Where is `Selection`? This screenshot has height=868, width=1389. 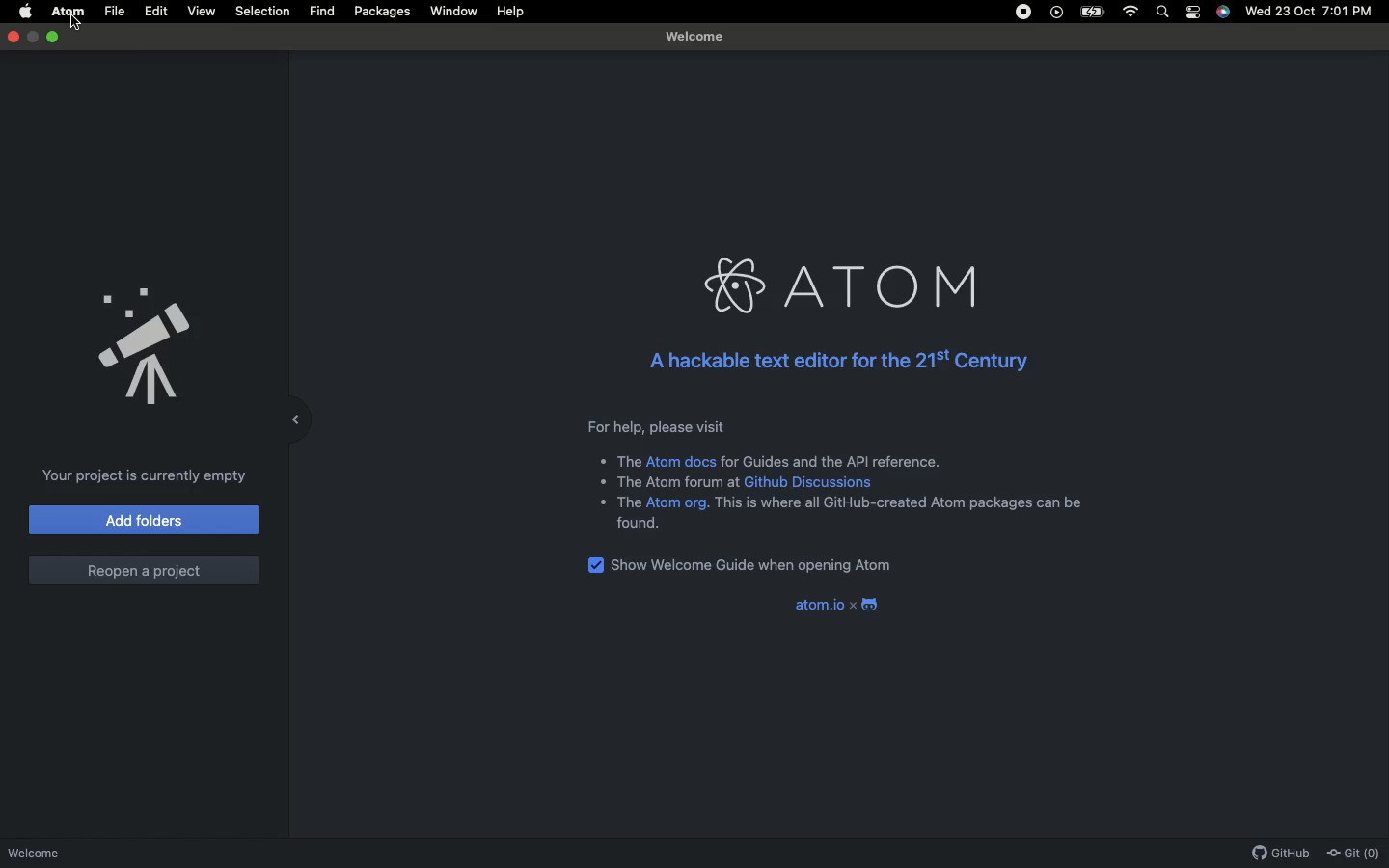
Selection is located at coordinates (261, 12).